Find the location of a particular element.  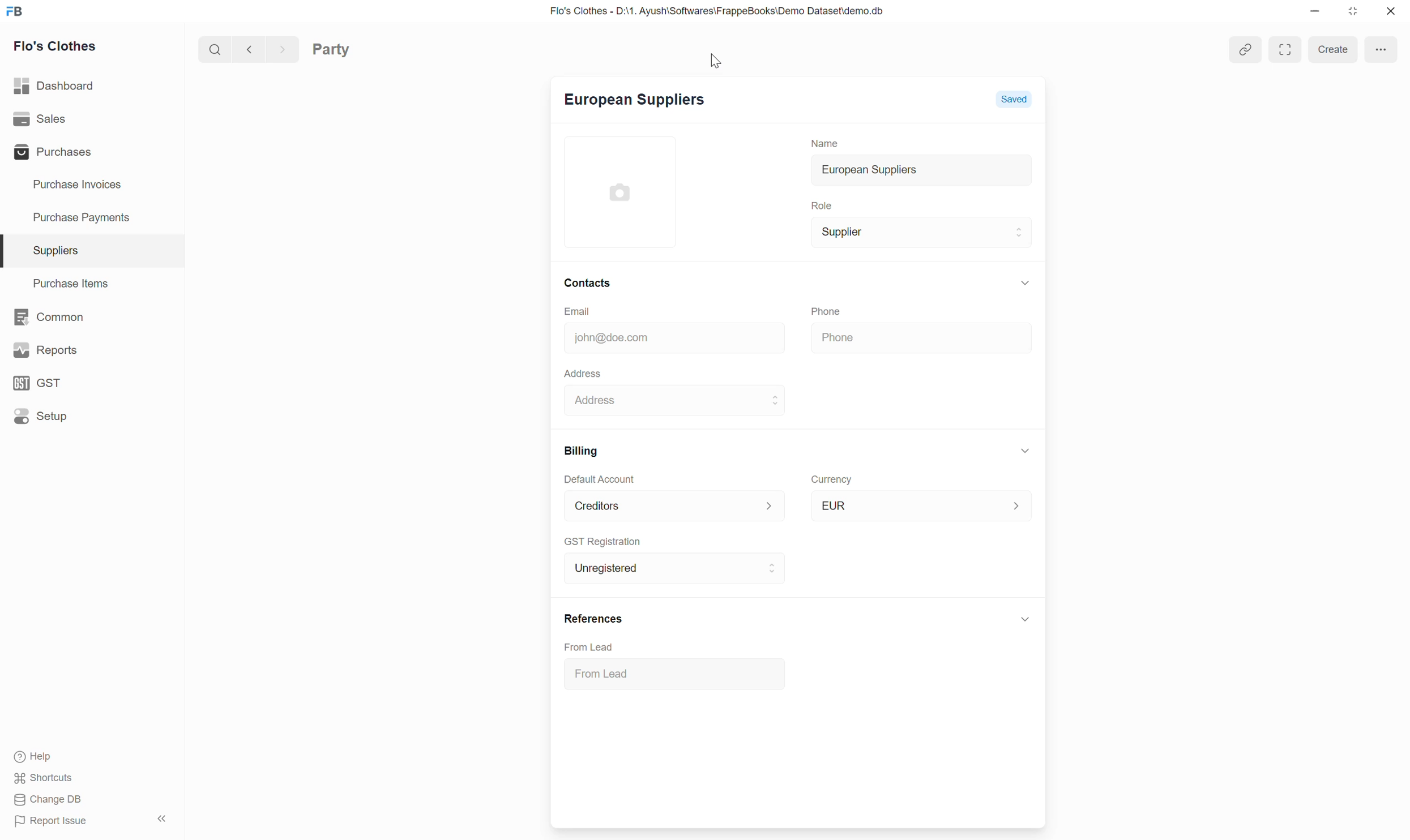

close down is located at coordinates (1354, 12).